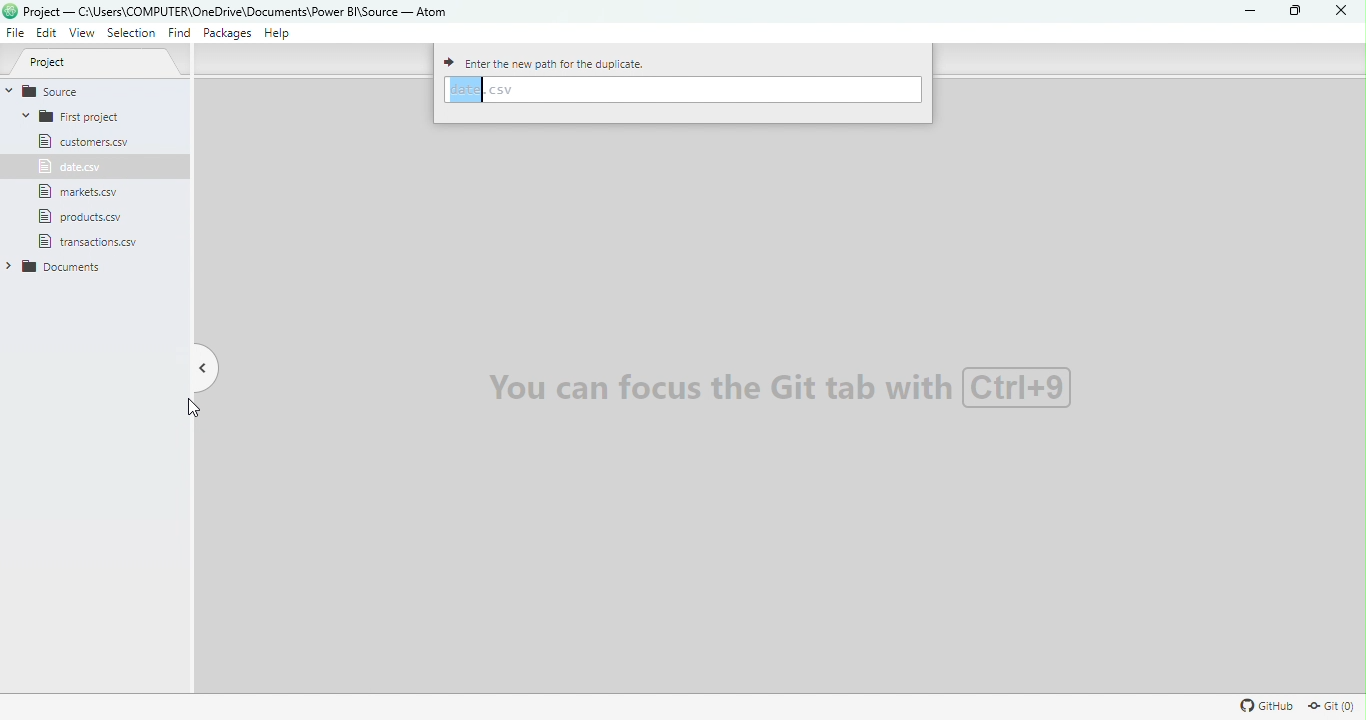  Describe the element at coordinates (82, 141) in the screenshot. I see `File` at that location.